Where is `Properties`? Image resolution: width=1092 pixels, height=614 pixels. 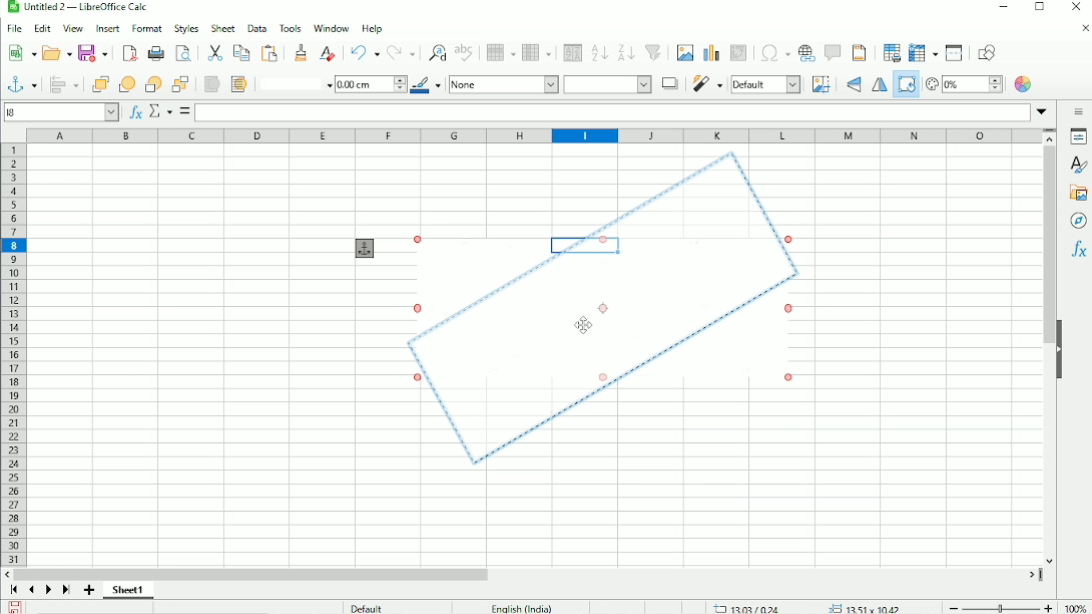
Properties is located at coordinates (1076, 137).